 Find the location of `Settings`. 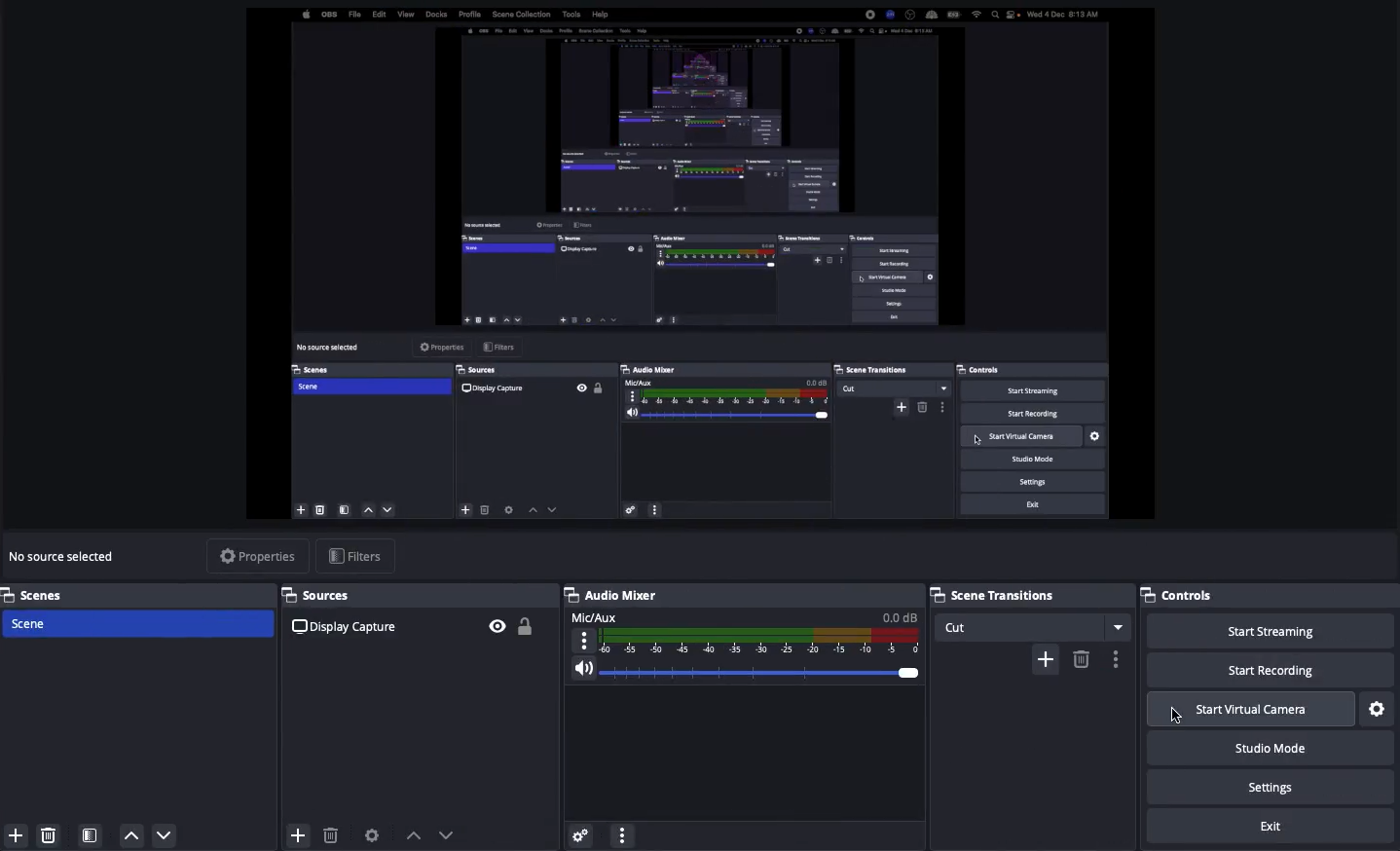

Settings is located at coordinates (1274, 786).